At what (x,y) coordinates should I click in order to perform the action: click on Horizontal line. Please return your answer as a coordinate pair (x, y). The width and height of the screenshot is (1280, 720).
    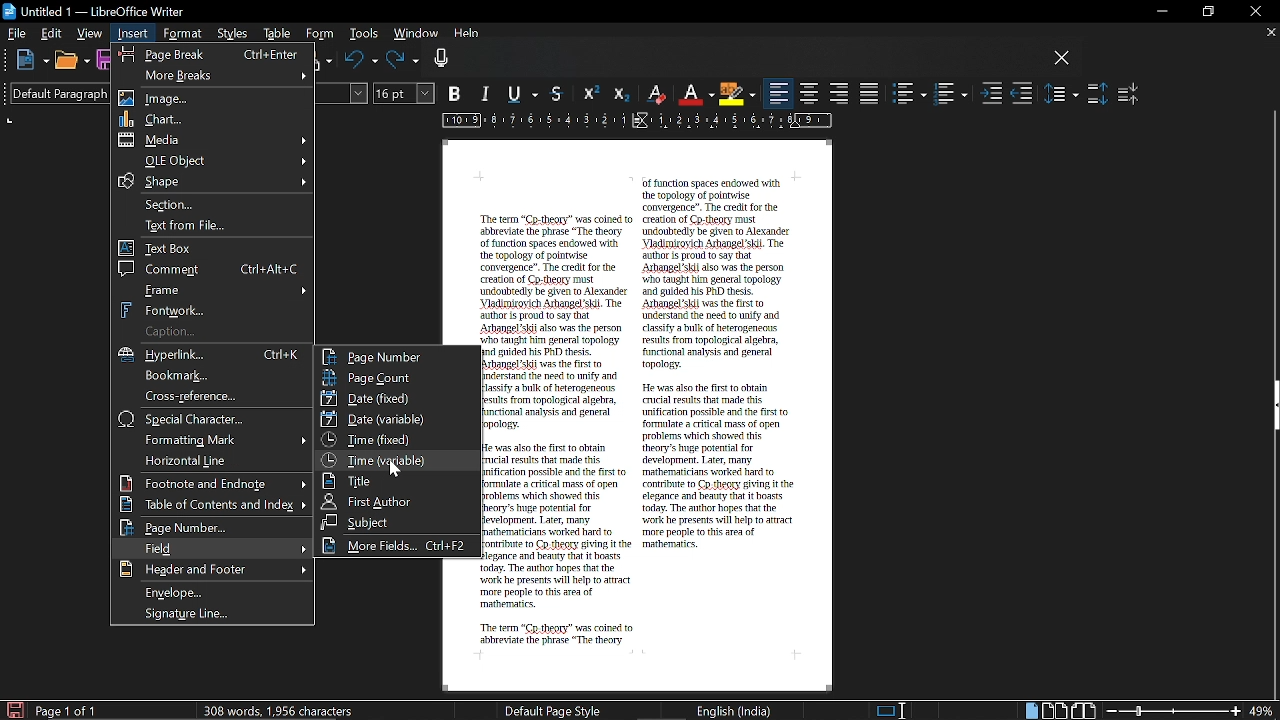
    Looking at the image, I should click on (210, 460).